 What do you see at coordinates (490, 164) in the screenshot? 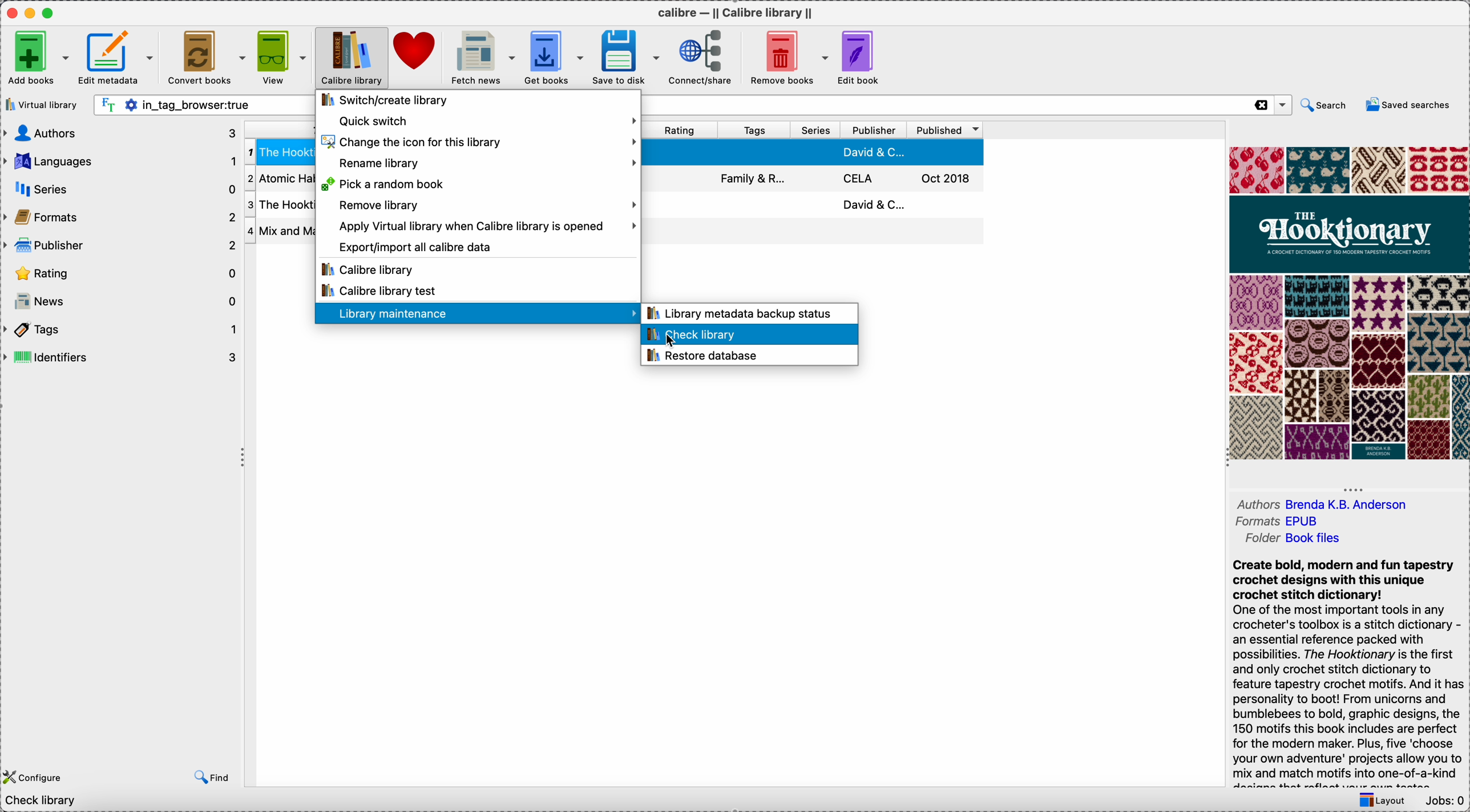
I see `rename library` at bounding box center [490, 164].